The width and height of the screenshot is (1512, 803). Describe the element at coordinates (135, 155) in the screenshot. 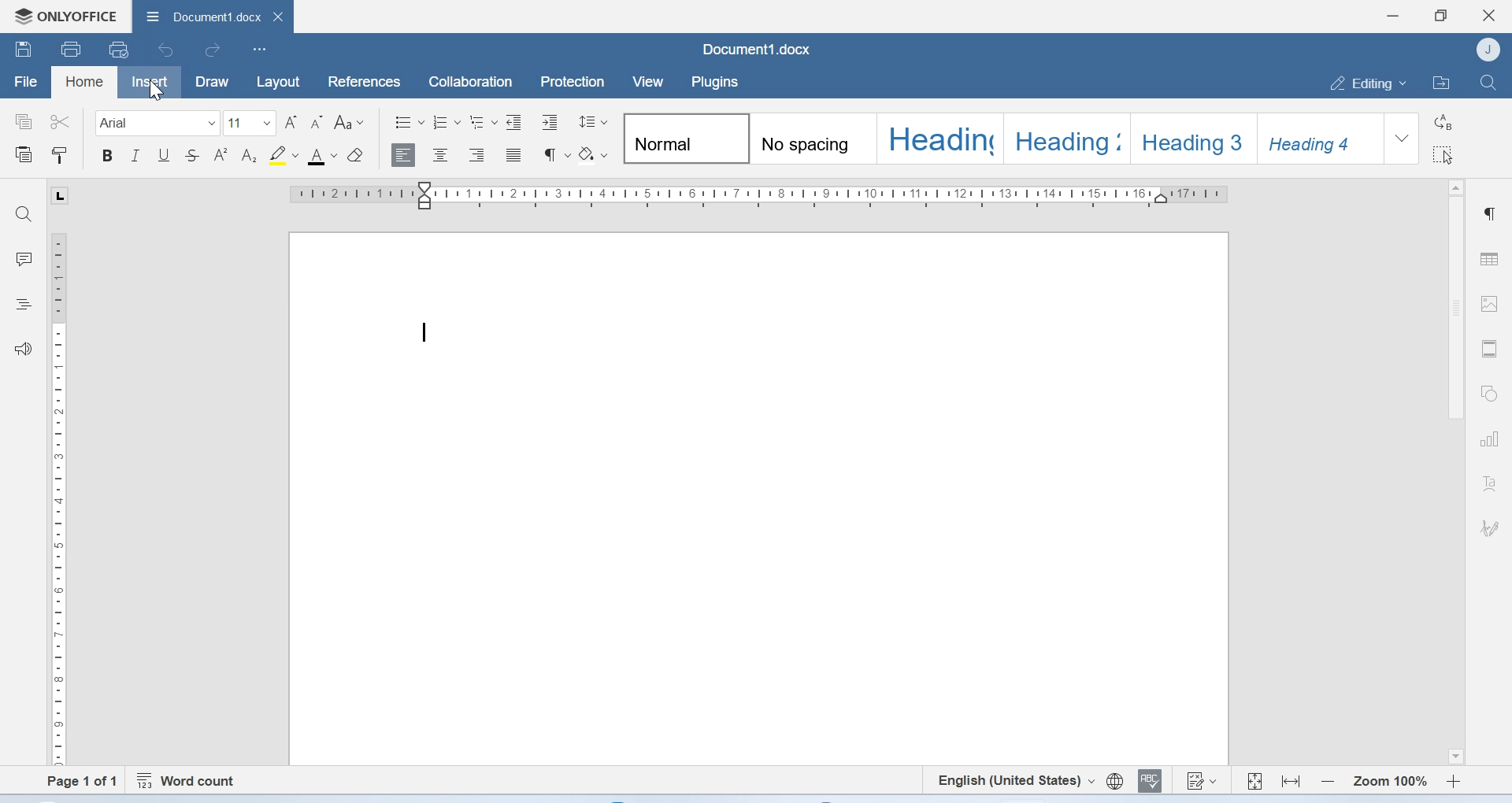

I see `Itallic` at that location.